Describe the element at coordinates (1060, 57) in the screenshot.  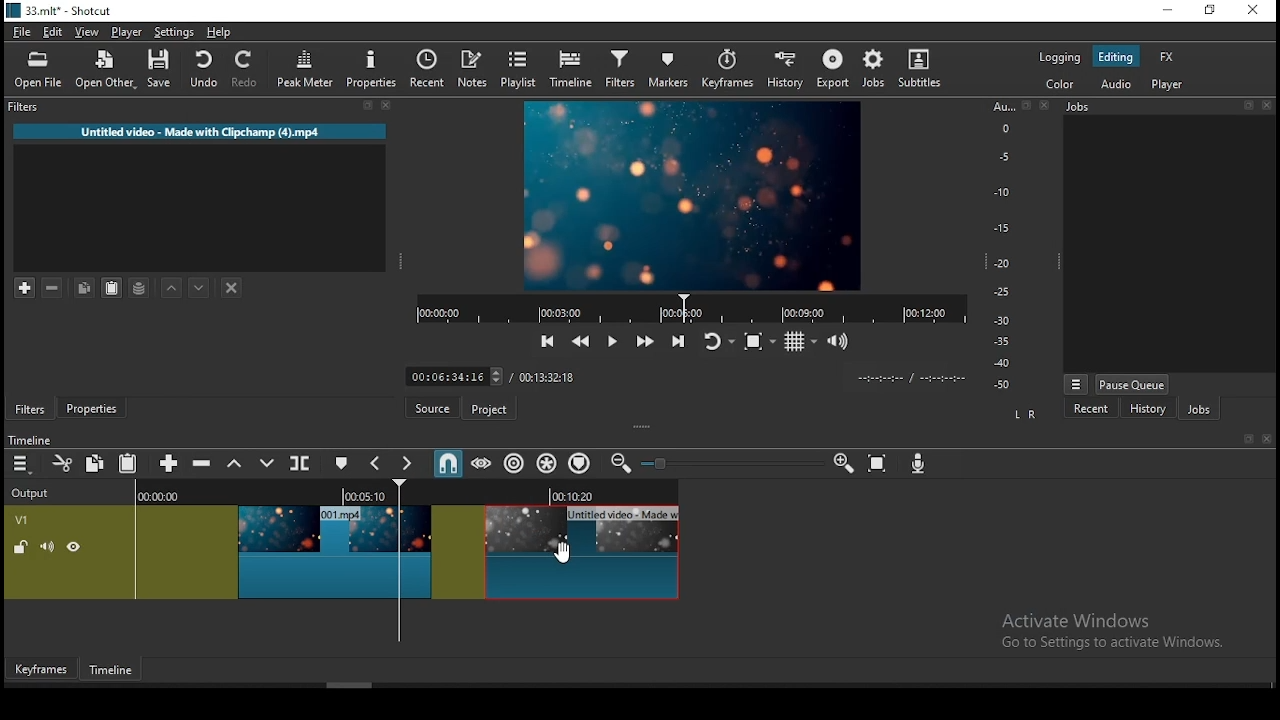
I see `color` at that location.